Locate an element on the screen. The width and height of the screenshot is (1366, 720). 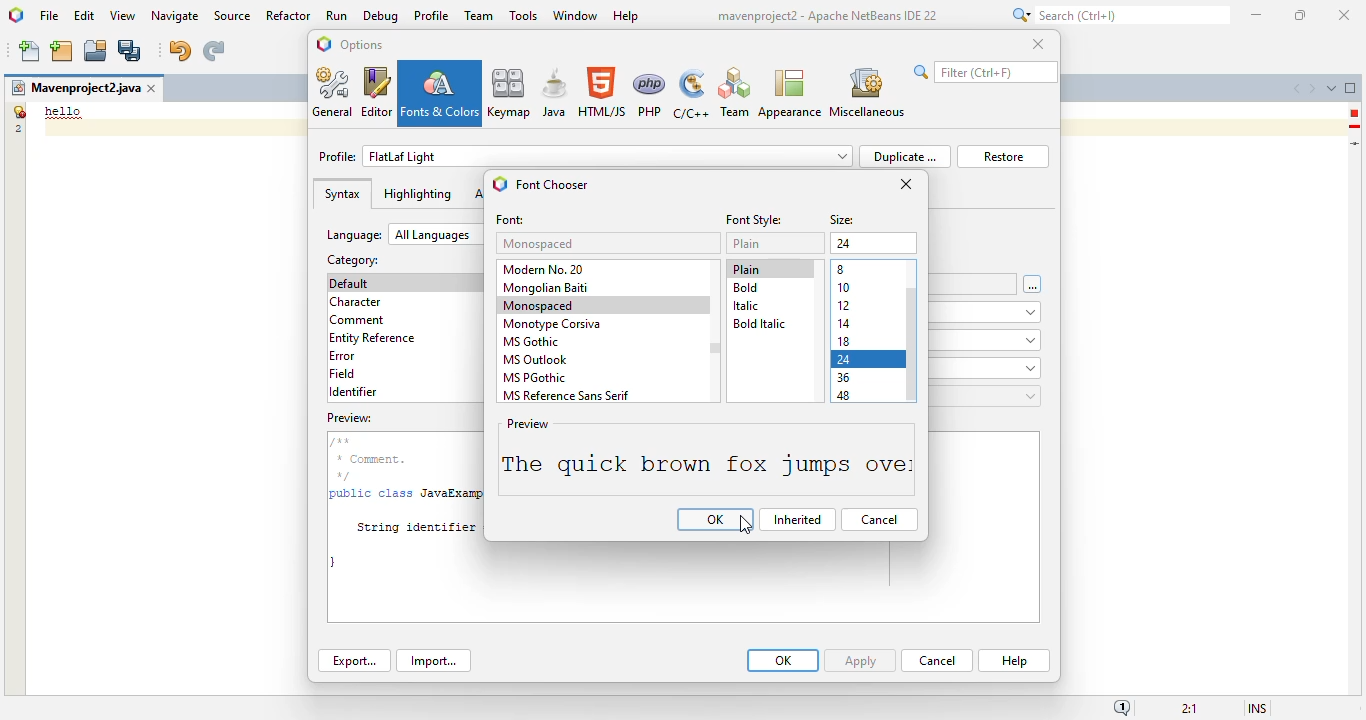
category is located at coordinates (351, 260).